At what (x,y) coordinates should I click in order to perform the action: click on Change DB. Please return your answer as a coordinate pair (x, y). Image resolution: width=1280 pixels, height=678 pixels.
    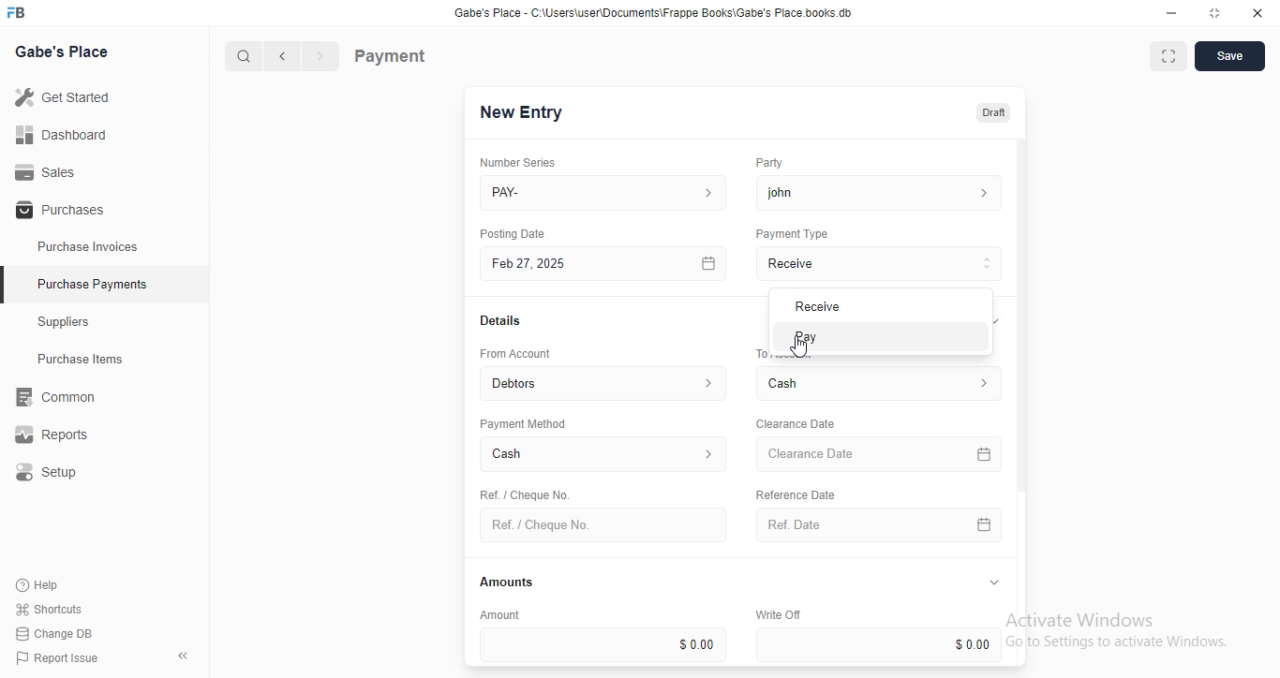
    Looking at the image, I should click on (52, 632).